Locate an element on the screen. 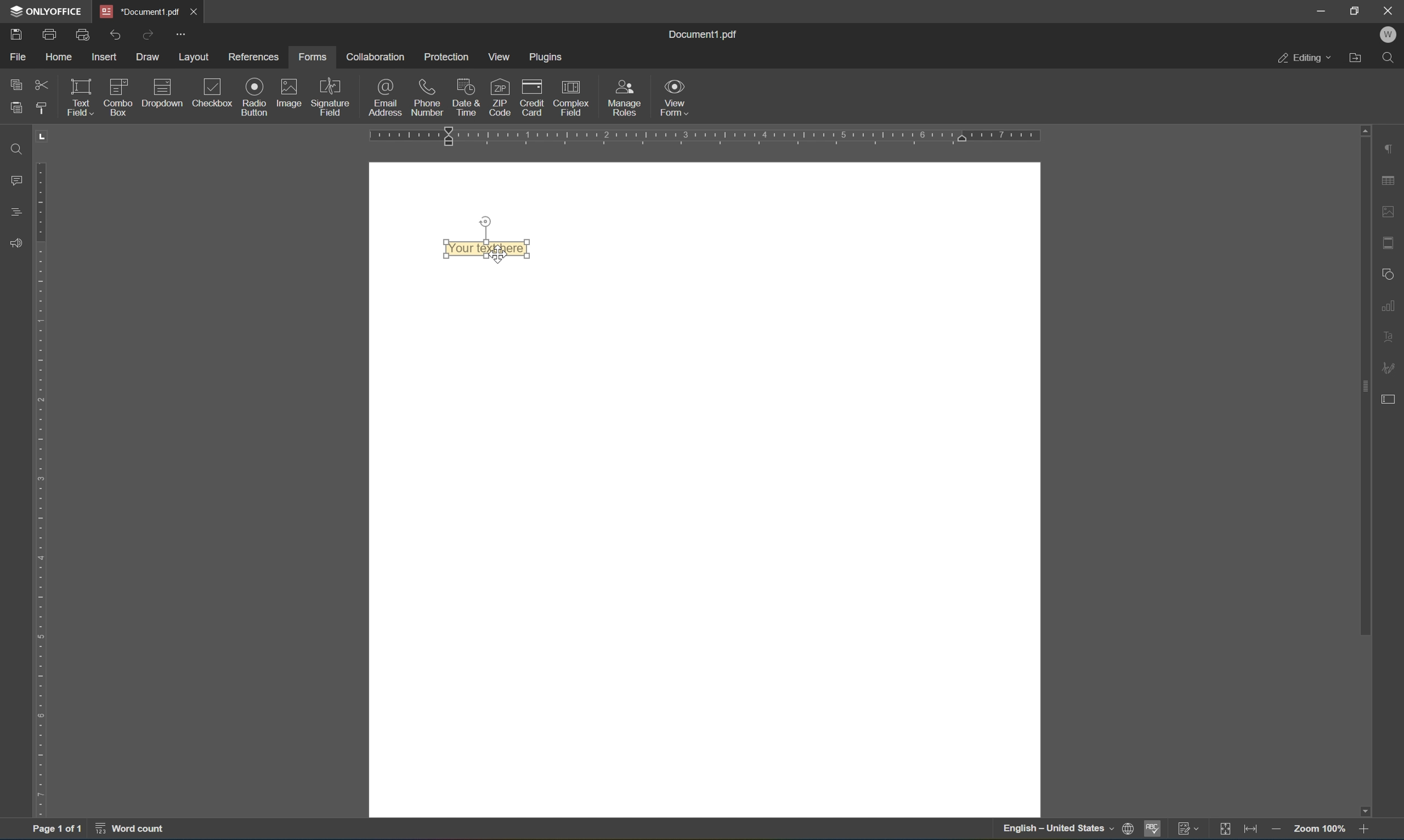 Image resolution: width=1404 pixels, height=840 pixels. document1.pdf is located at coordinates (707, 34).